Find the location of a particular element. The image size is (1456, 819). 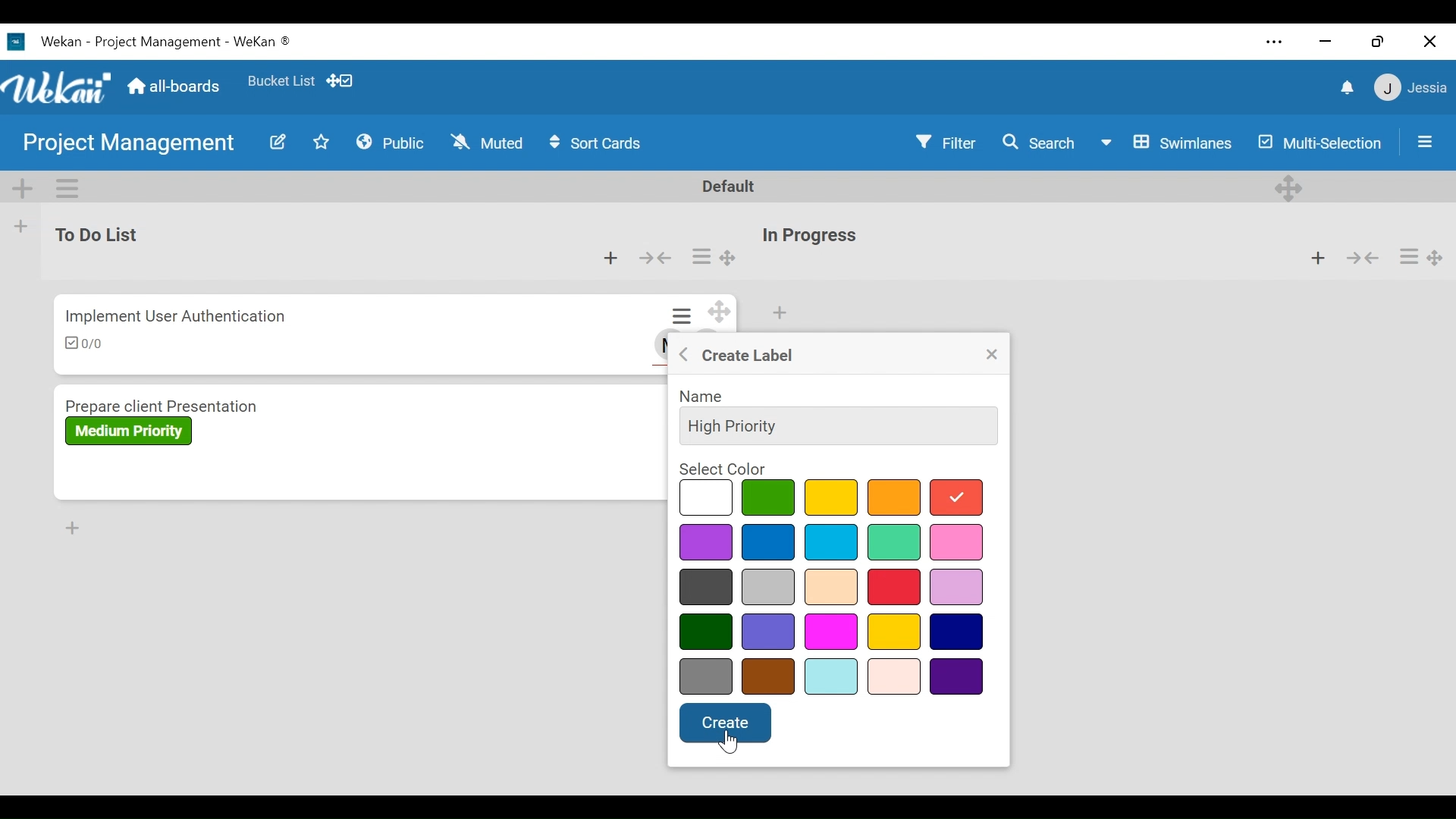

Add Swimlane is located at coordinates (22, 186).